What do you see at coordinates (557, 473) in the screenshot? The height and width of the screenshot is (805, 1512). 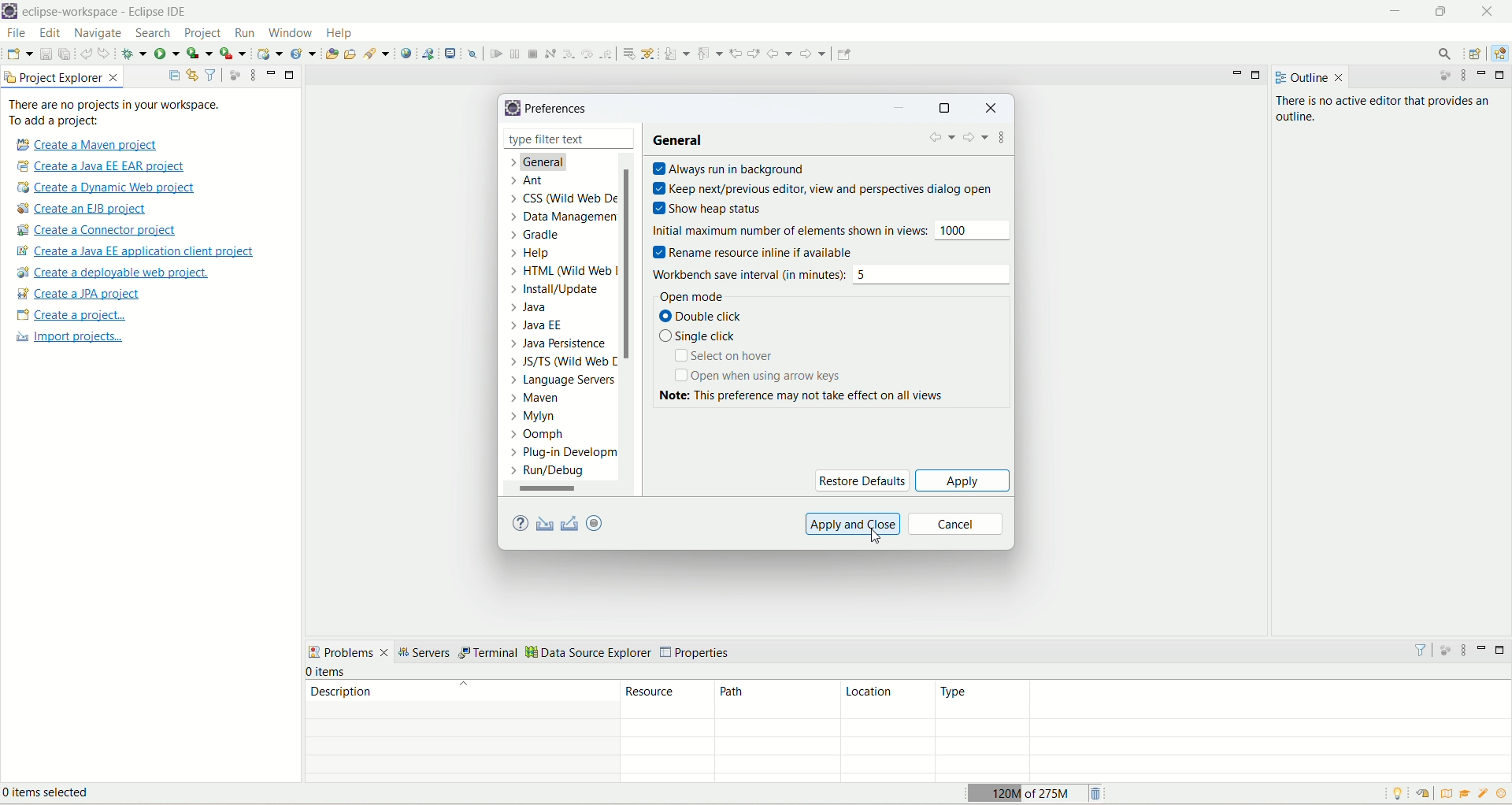 I see `run/debug` at bounding box center [557, 473].